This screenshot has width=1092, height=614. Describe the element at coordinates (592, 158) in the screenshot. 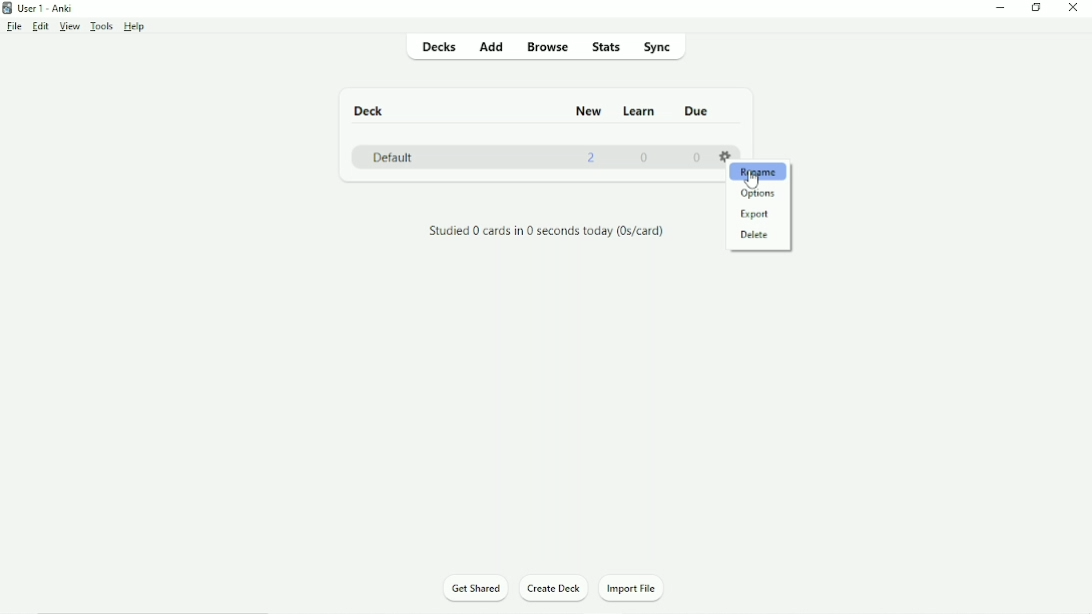

I see `2` at that location.